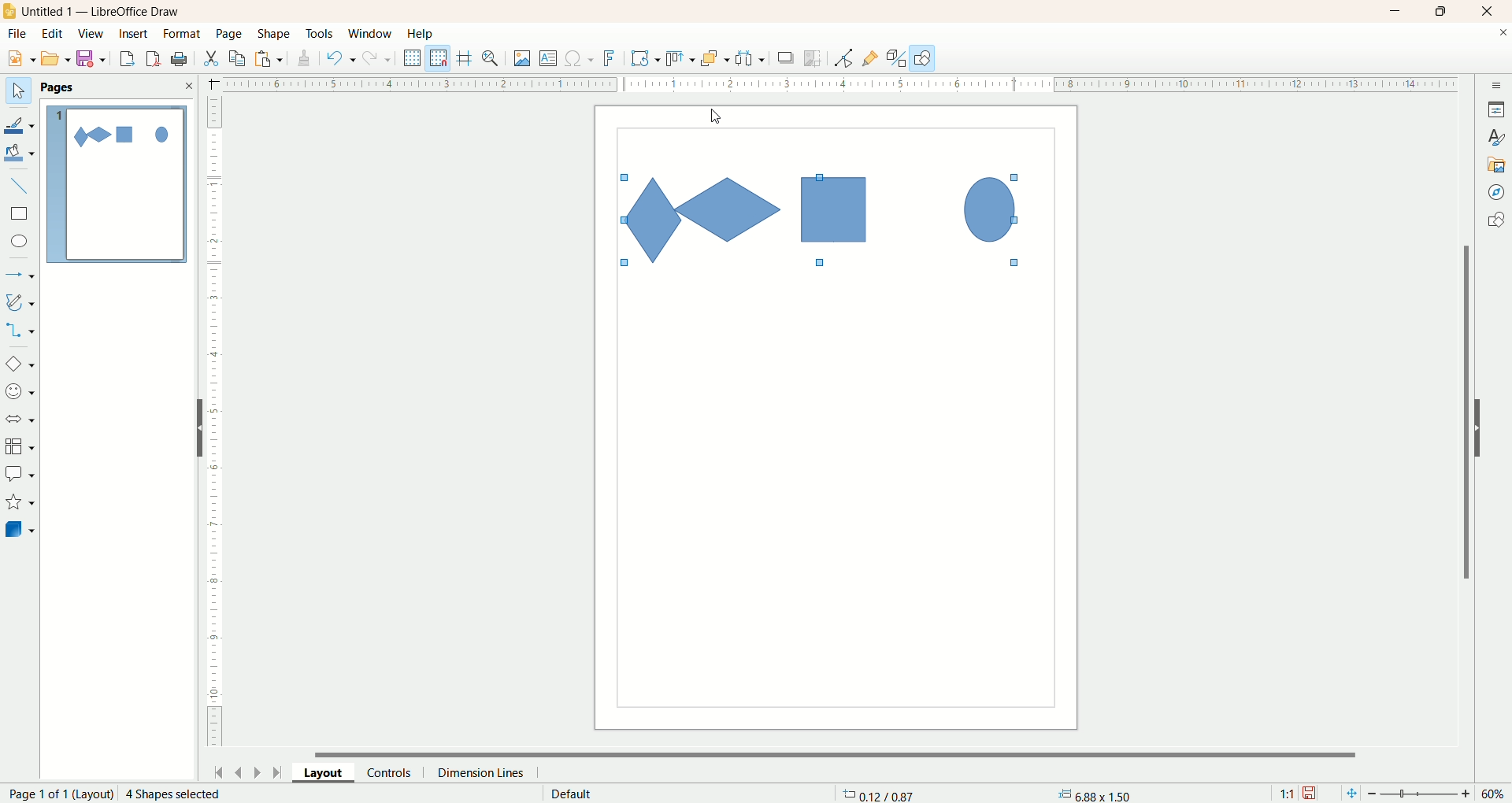 This screenshot has width=1512, height=803. Describe the element at coordinates (880, 794) in the screenshot. I see `coordinates` at that location.